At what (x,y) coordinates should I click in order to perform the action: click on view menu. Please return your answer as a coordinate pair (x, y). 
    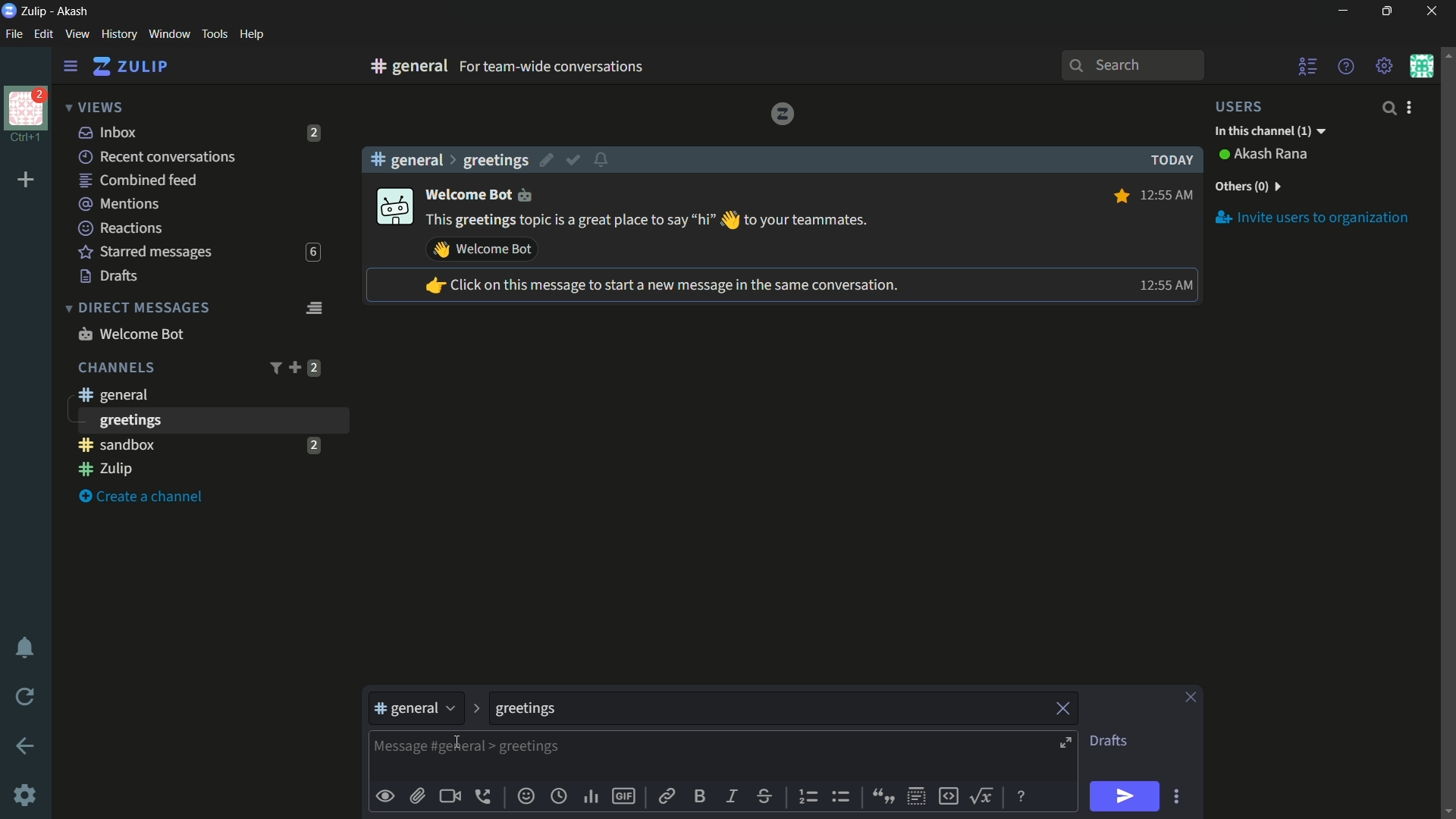
    Looking at the image, I should click on (77, 33).